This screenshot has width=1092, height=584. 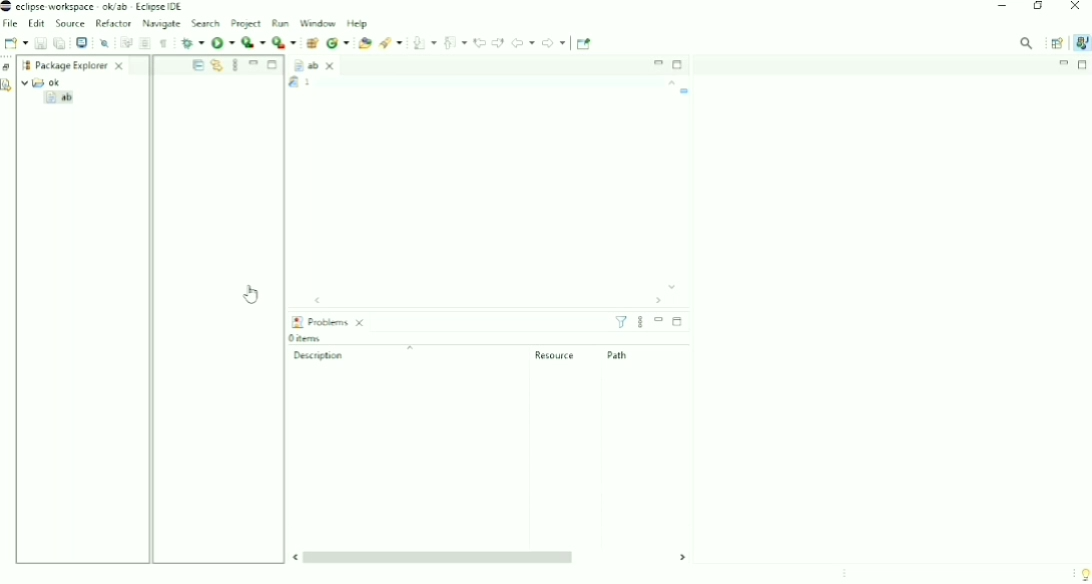 I want to click on Tip of the day, so click(x=1080, y=572).